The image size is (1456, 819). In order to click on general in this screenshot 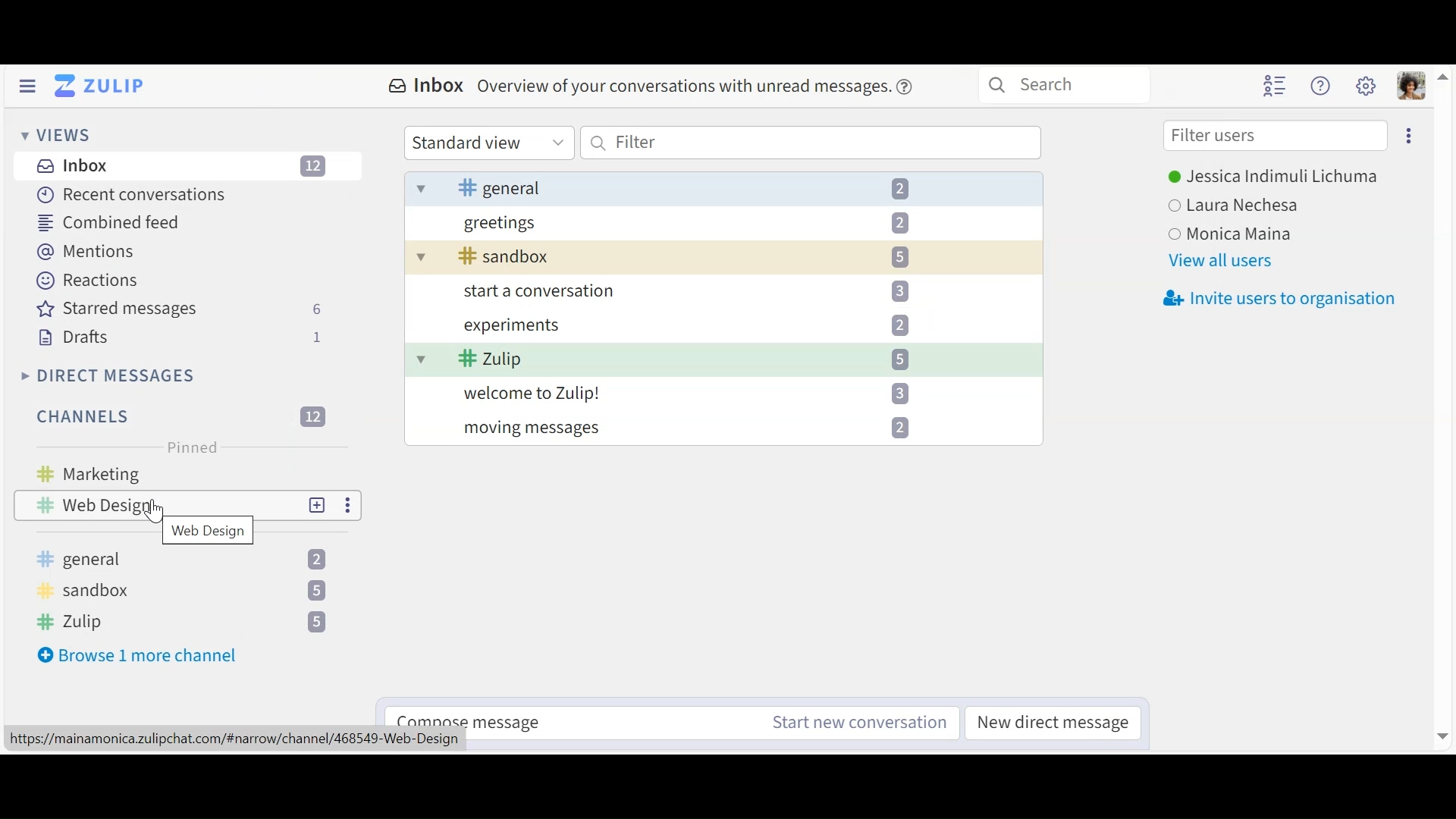, I will do `click(727, 184)`.